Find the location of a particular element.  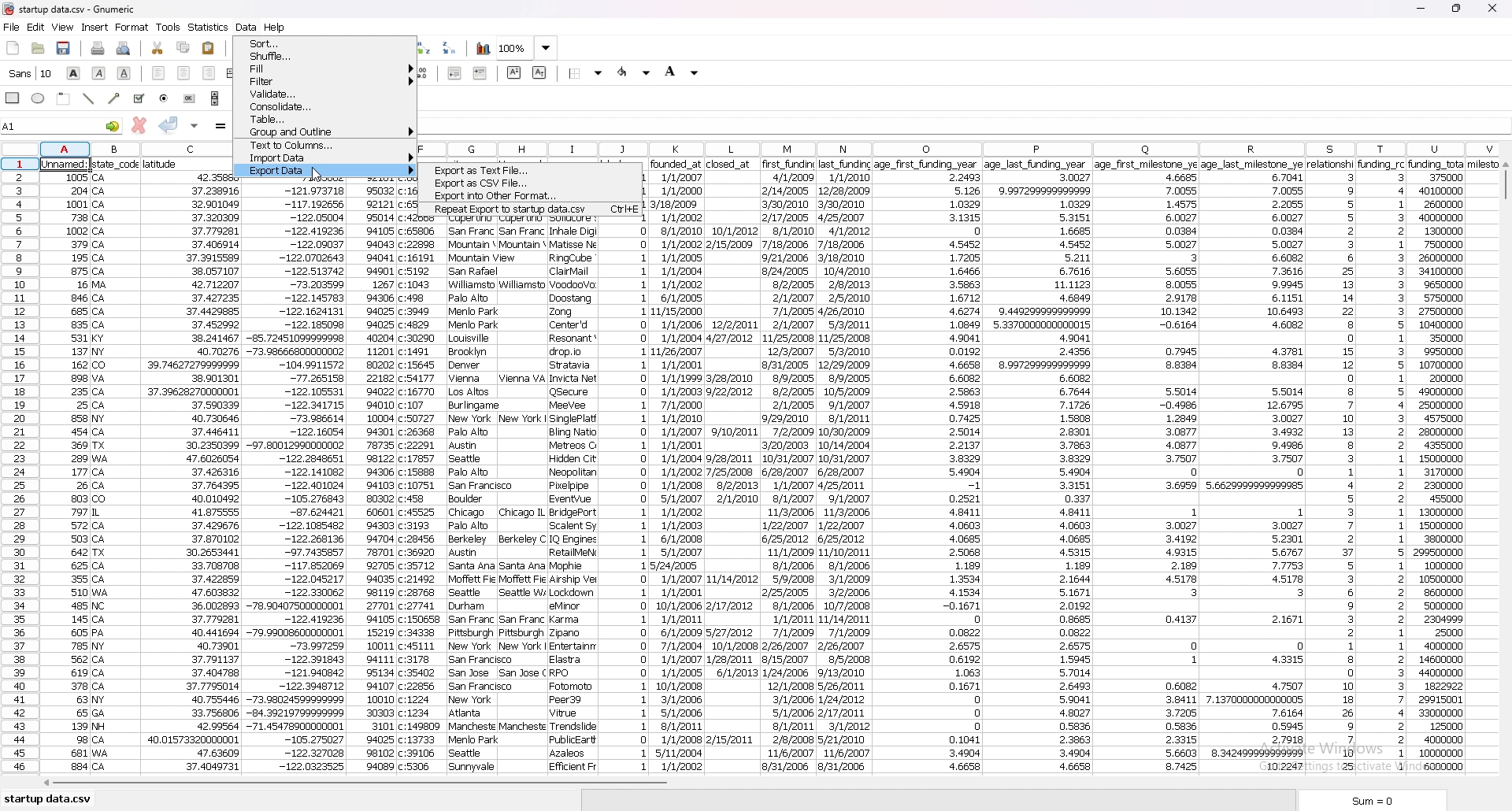

sort descending is located at coordinates (450, 47).